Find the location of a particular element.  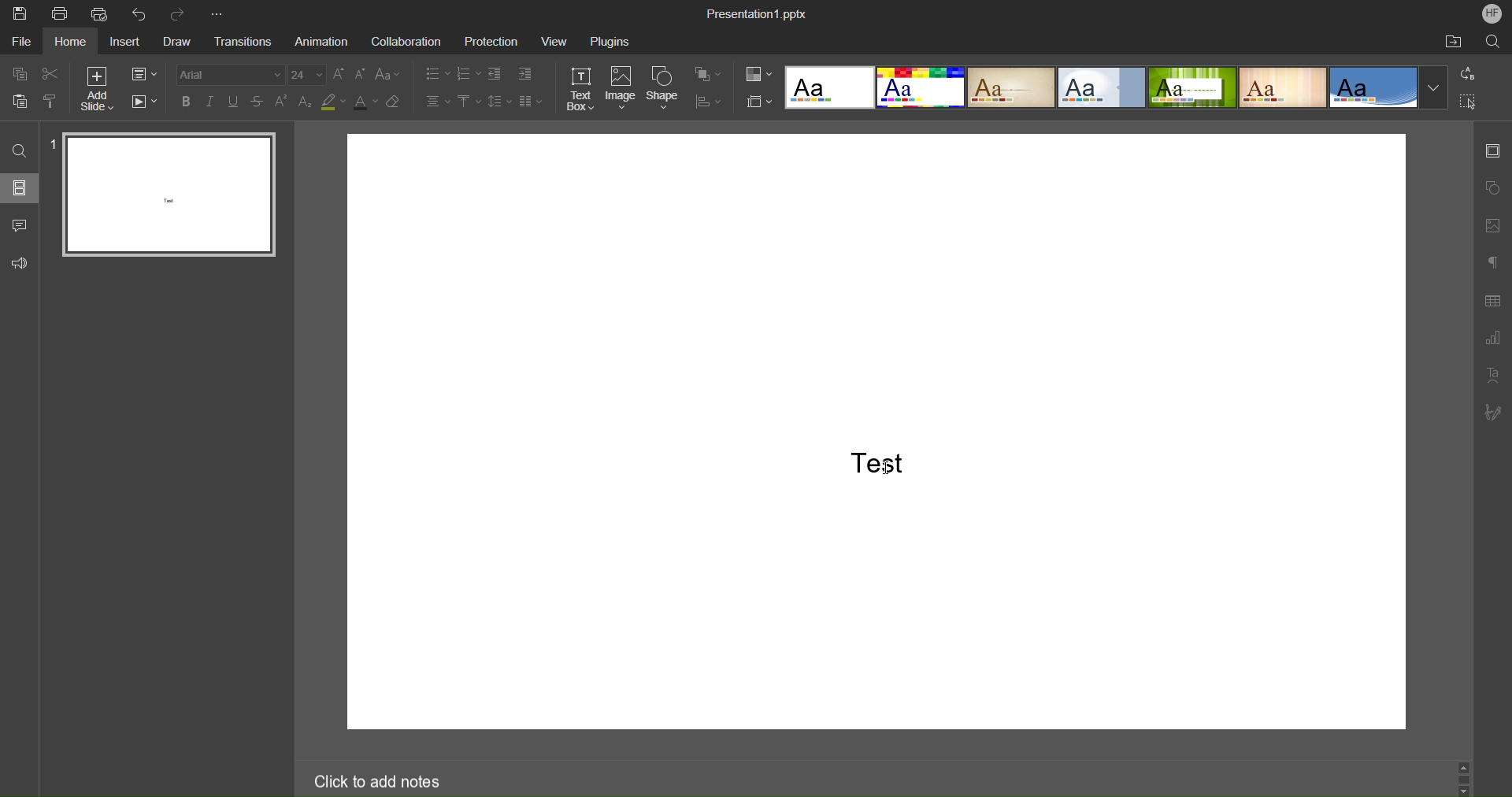

Italic is located at coordinates (211, 101).